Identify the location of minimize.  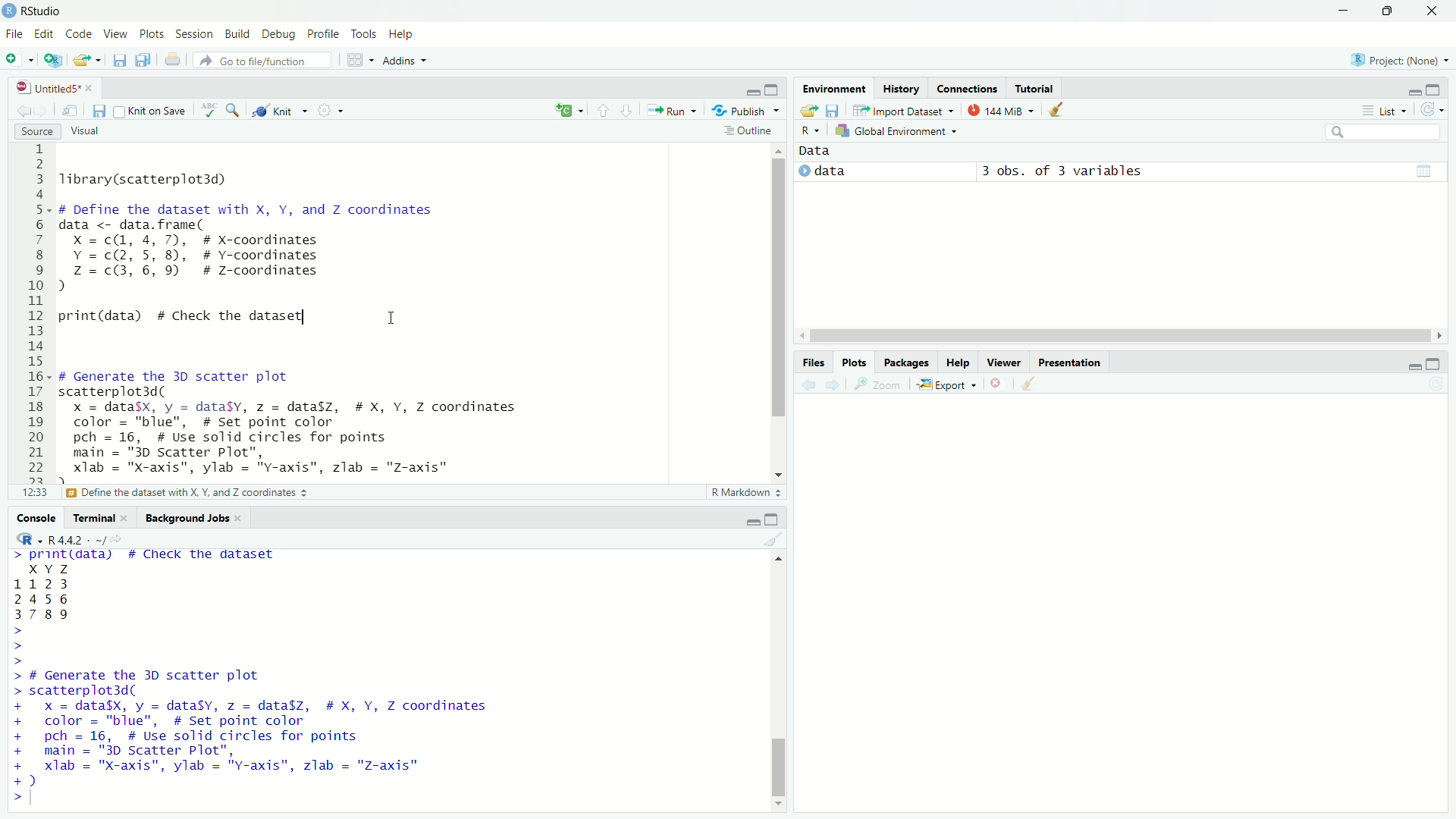
(753, 521).